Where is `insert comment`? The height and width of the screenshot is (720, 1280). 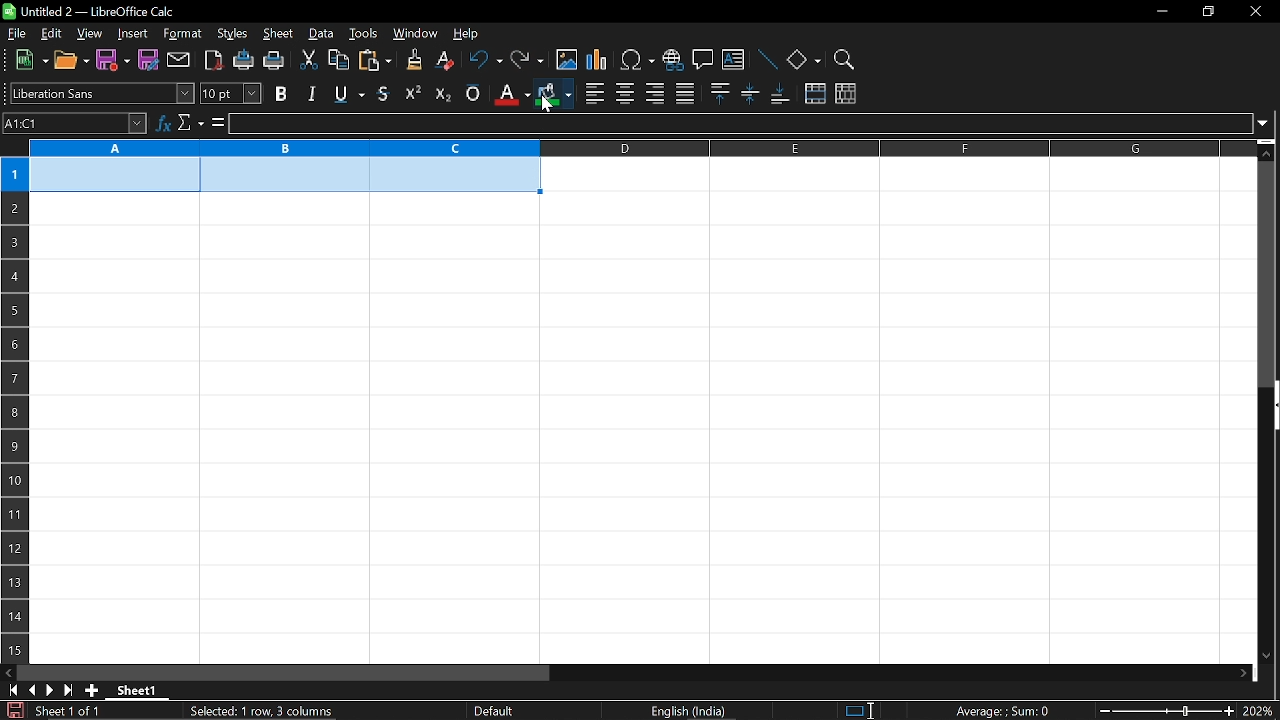 insert comment is located at coordinates (702, 60).